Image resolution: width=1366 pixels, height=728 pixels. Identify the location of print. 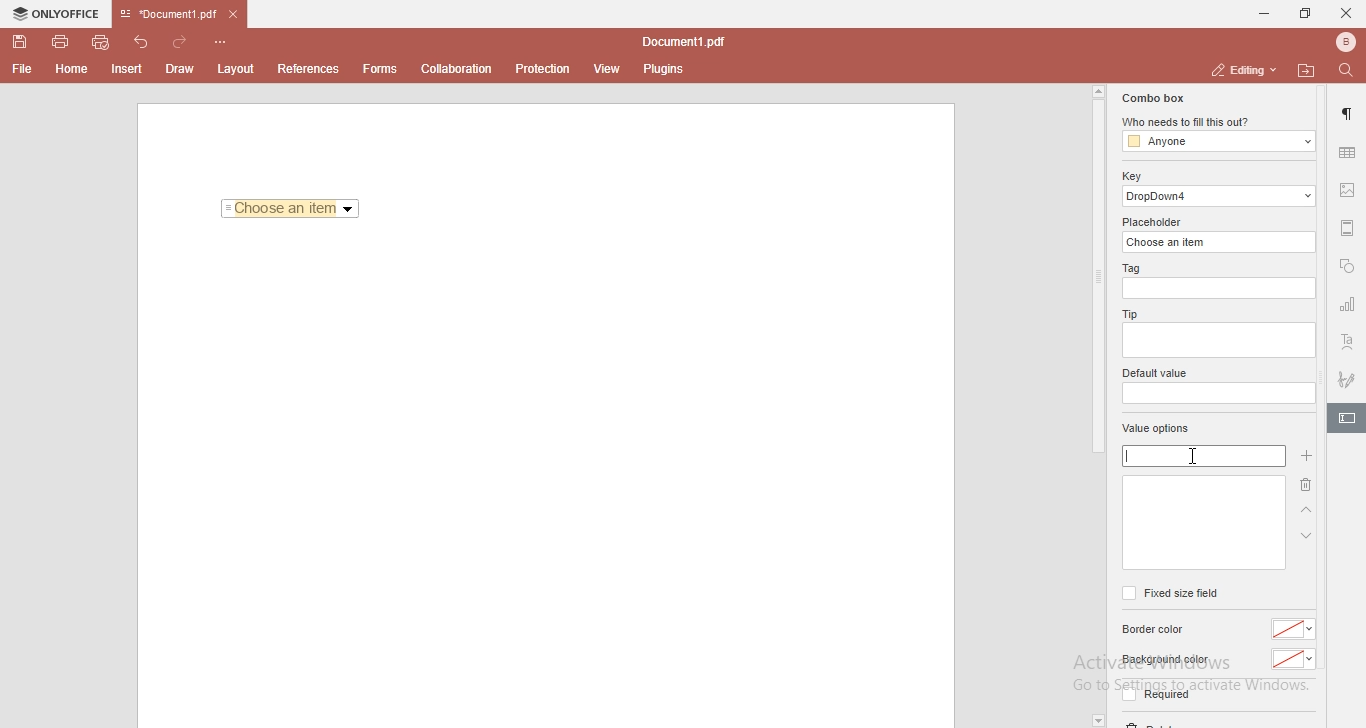
(59, 40).